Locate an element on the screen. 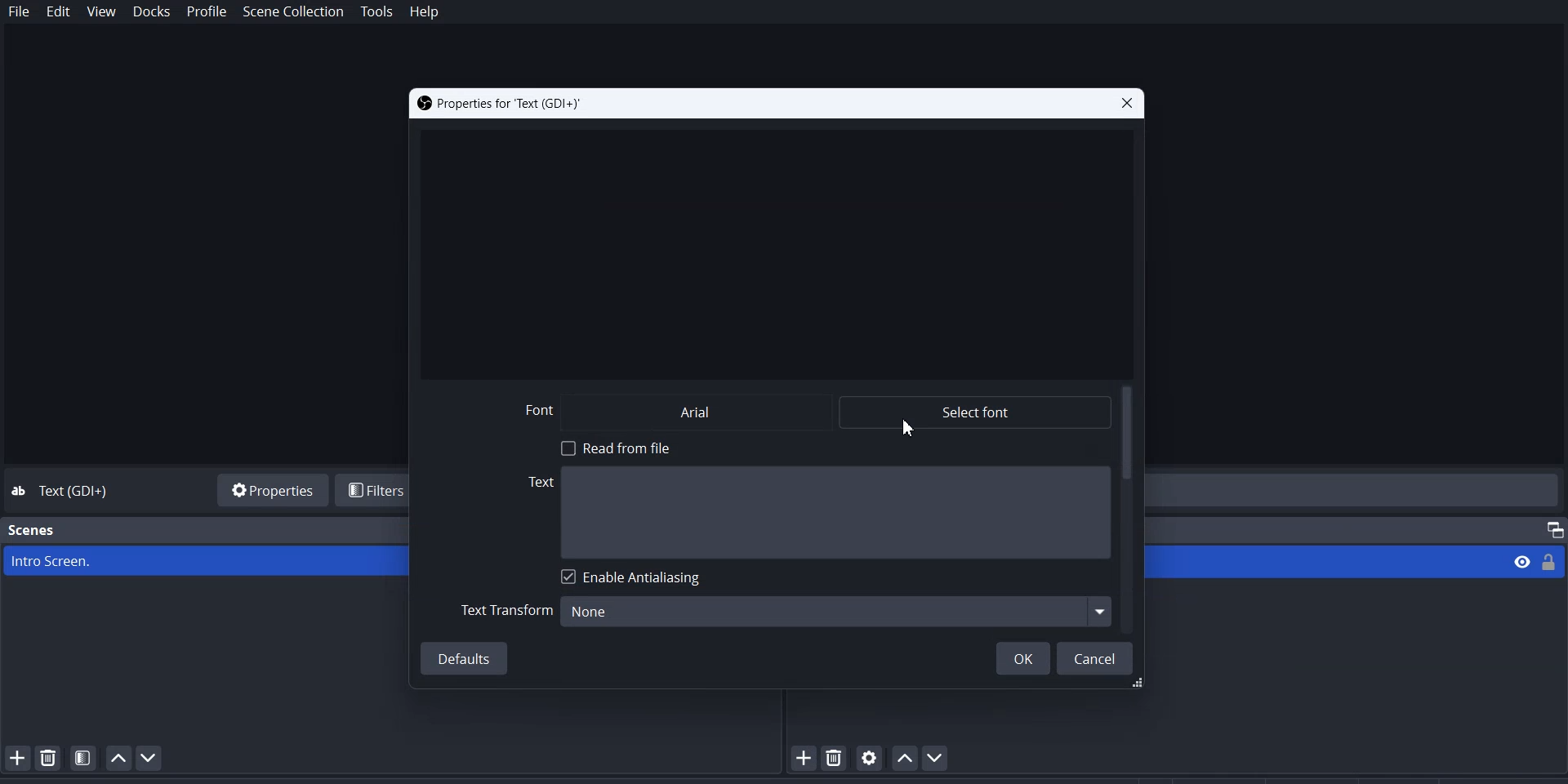 The image size is (1568, 784). File is located at coordinates (20, 12).